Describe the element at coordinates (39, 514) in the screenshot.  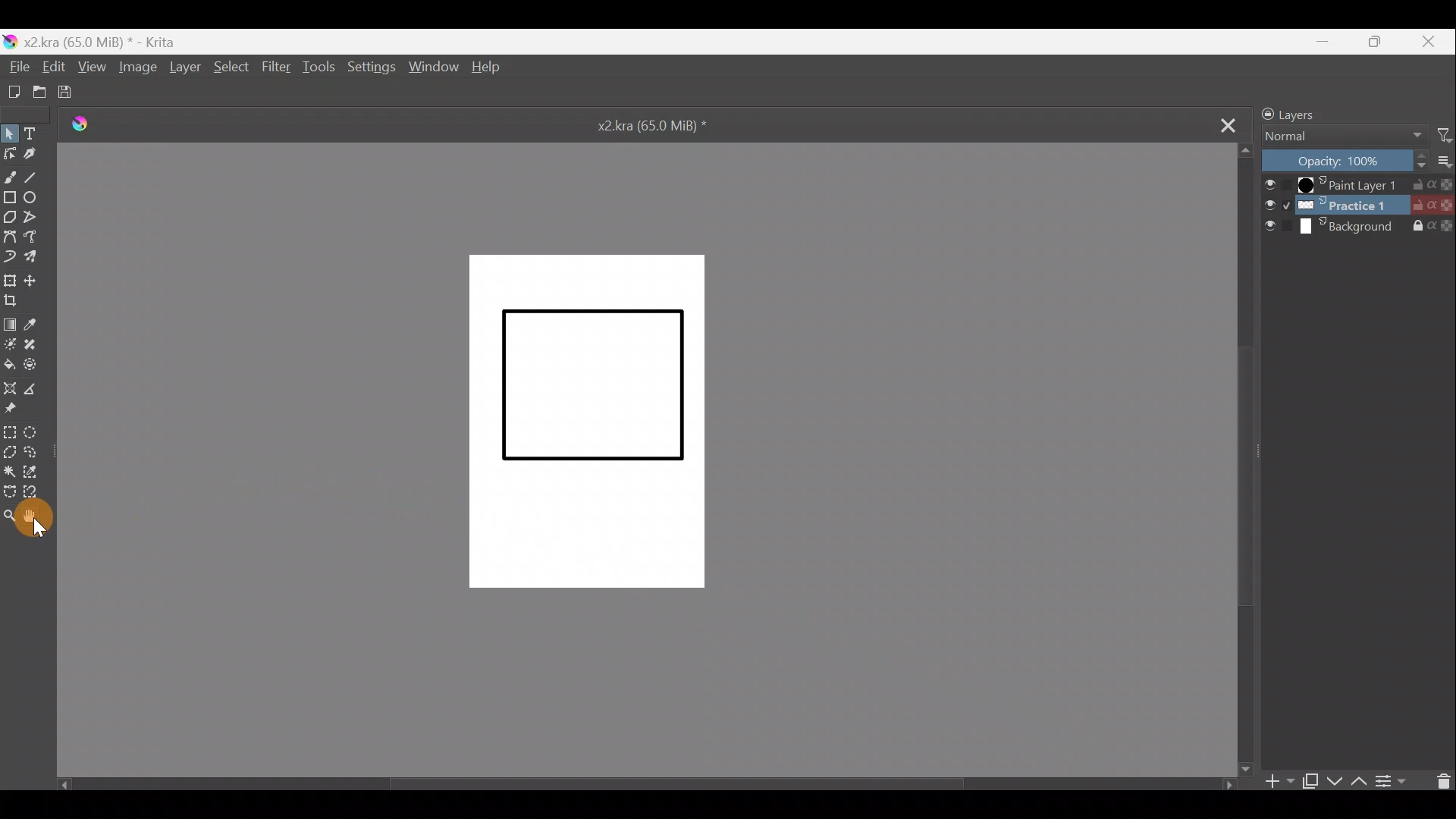
I see `Pan tool` at that location.